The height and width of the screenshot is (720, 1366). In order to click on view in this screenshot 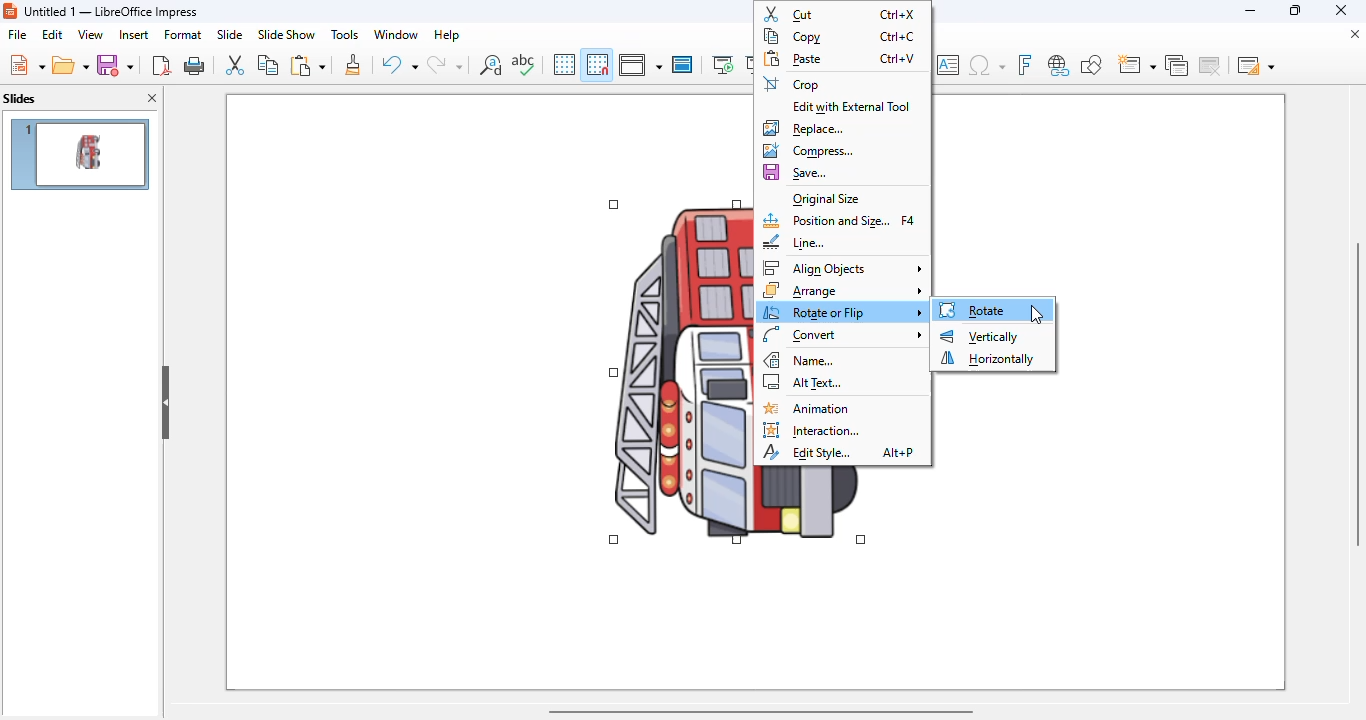, I will do `click(90, 35)`.